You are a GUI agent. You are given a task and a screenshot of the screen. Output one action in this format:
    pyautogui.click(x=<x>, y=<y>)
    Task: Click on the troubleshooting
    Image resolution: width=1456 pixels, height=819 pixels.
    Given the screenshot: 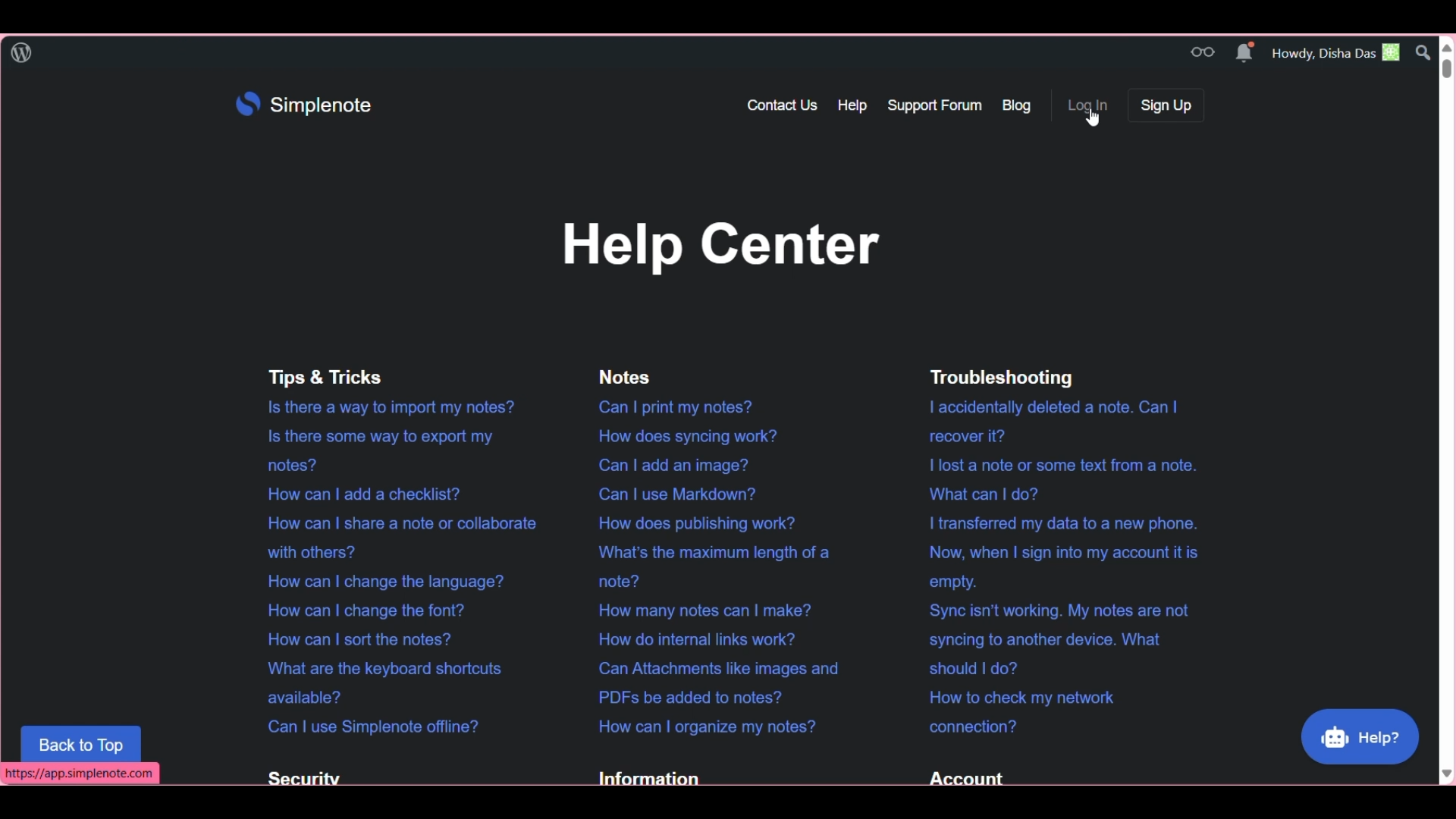 What is the action you would take?
    pyautogui.click(x=1020, y=376)
    